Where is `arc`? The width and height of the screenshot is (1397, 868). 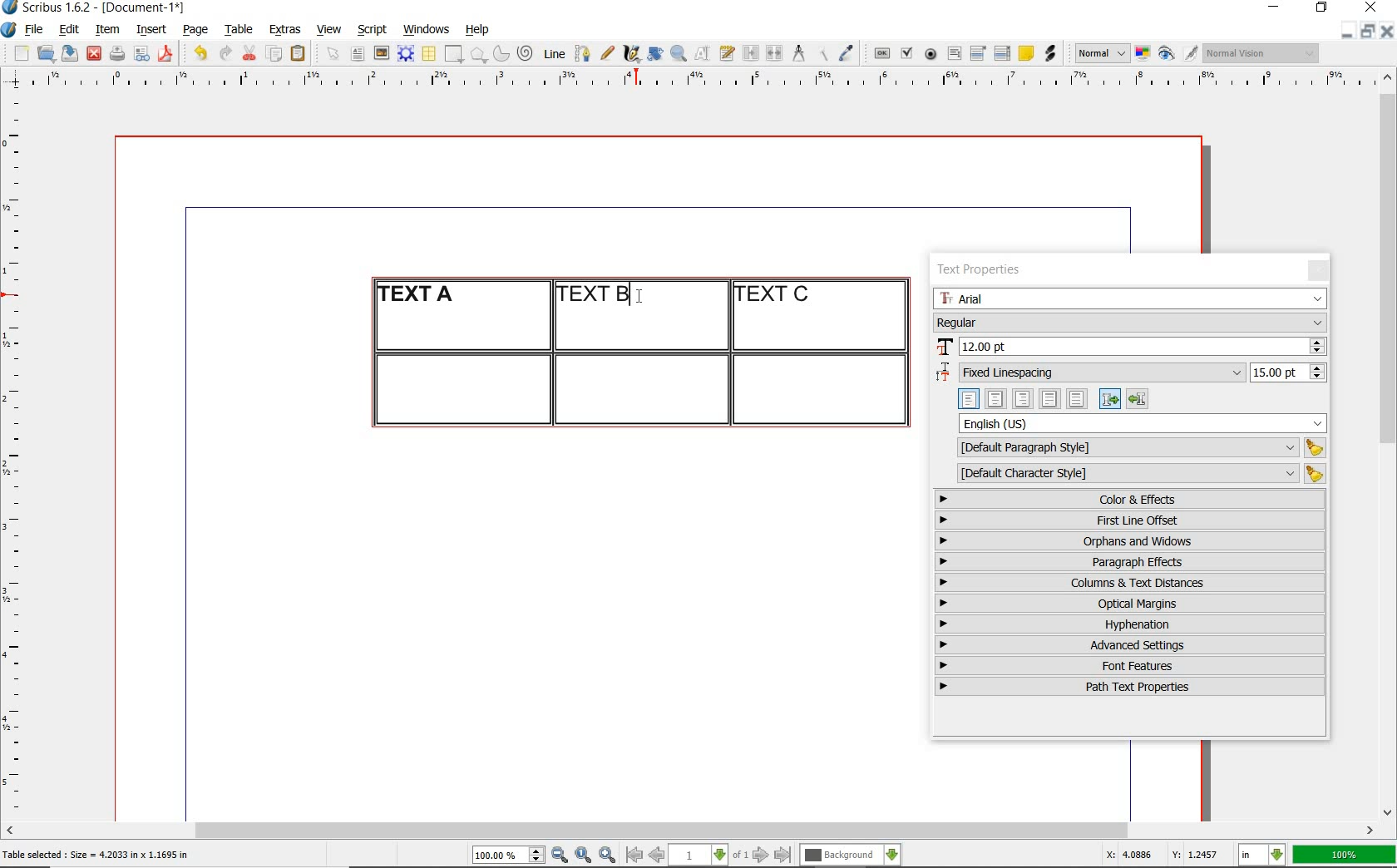
arc is located at coordinates (501, 53).